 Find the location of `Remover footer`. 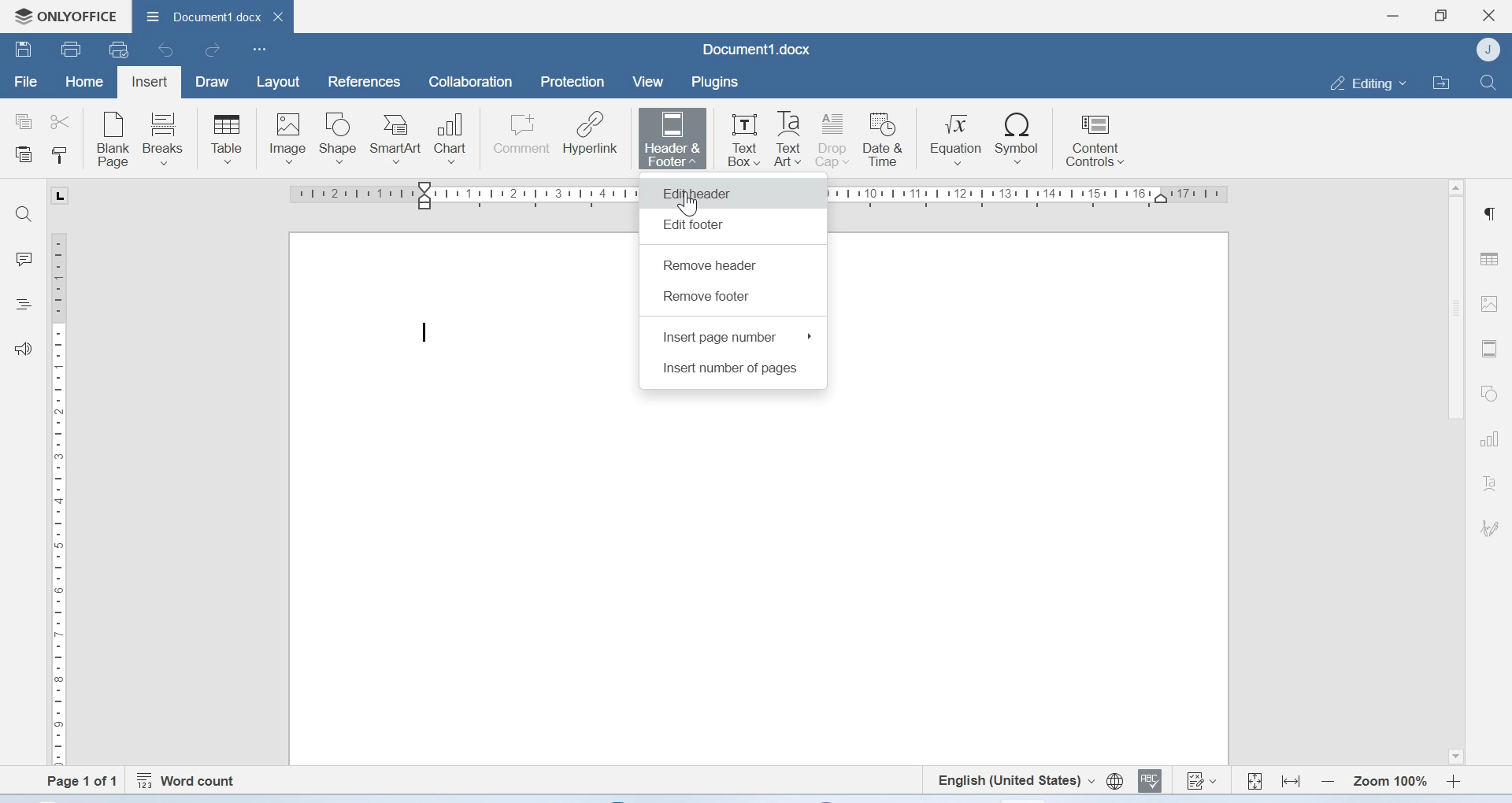

Remover footer is located at coordinates (709, 296).